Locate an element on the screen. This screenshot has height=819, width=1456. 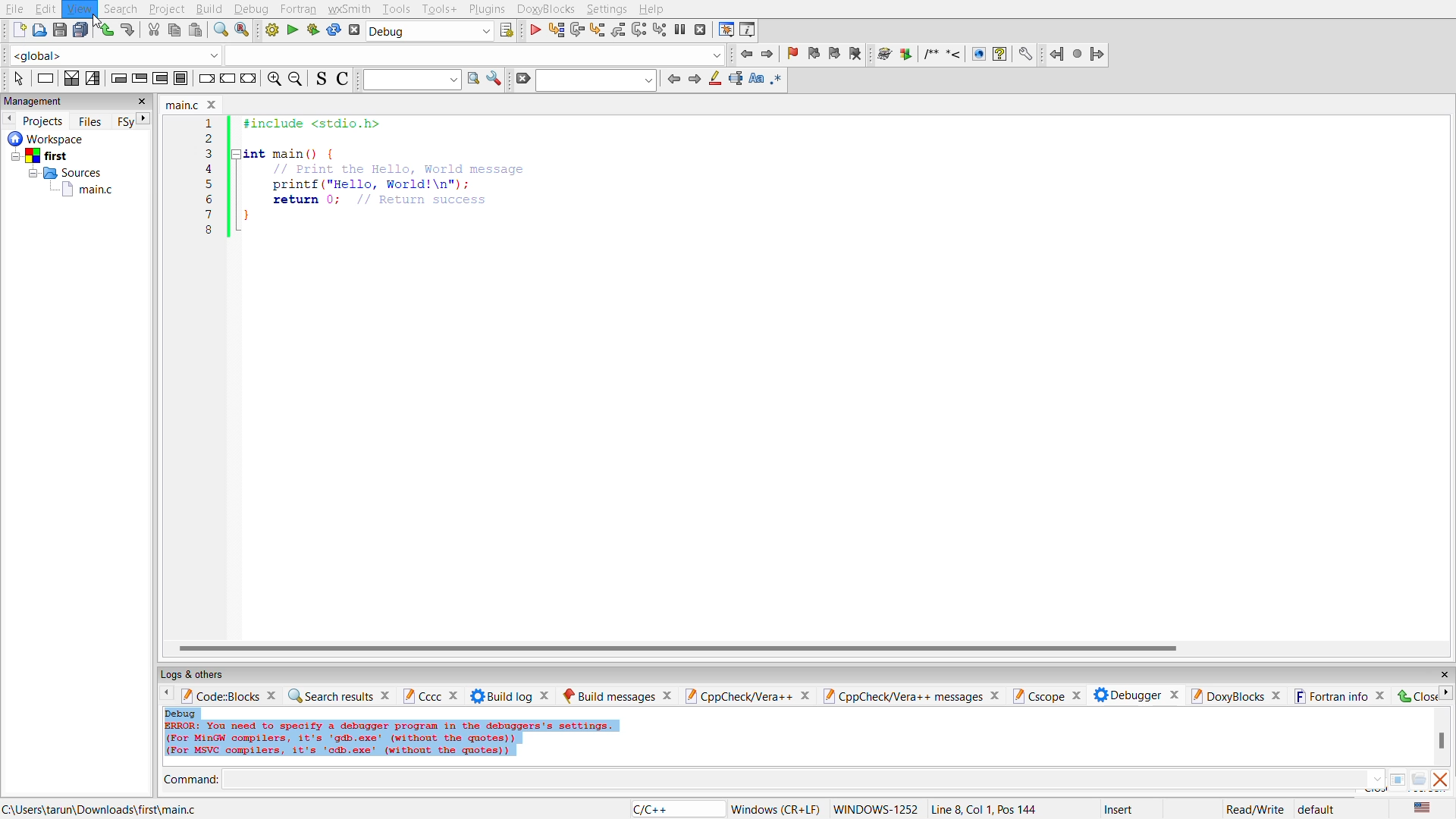
cppcheck/vera++ messages is located at coordinates (911, 693).